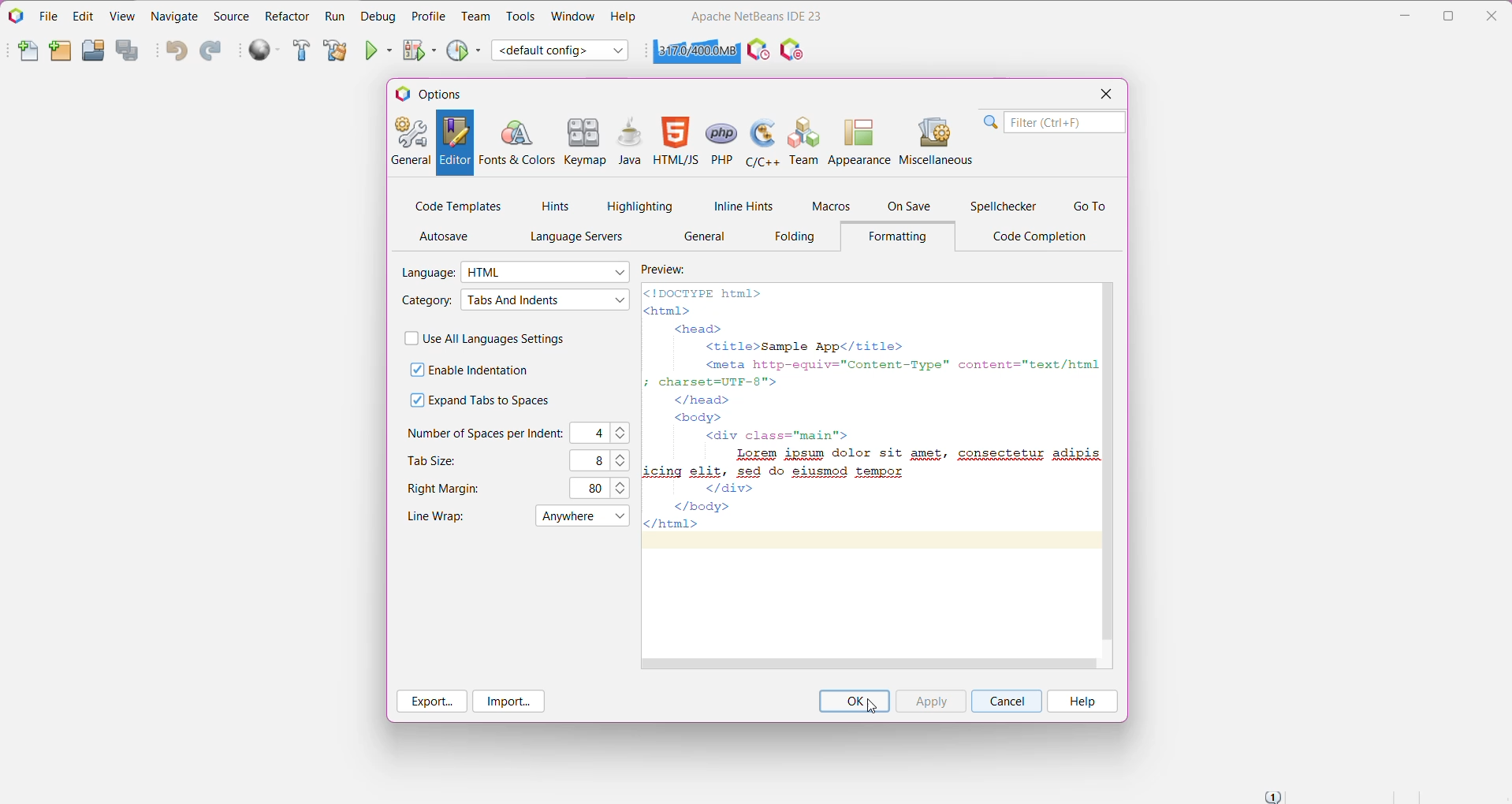 This screenshot has width=1512, height=804. I want to click on Miscellaneous, so click(935, 140).